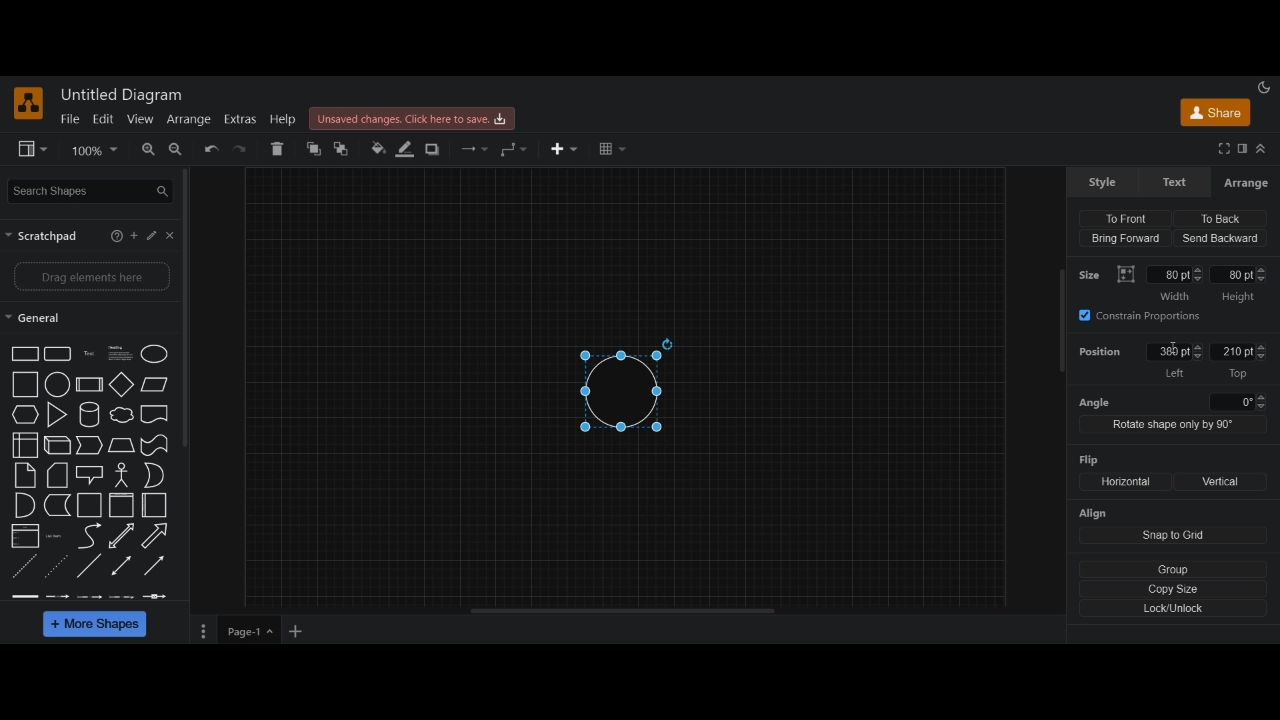 The width and height of the screenshot is (1280, 720). What do you see at coordinates (92, 190) in the screenshot?
I see `search shapes` at bounding box center [92, 190].